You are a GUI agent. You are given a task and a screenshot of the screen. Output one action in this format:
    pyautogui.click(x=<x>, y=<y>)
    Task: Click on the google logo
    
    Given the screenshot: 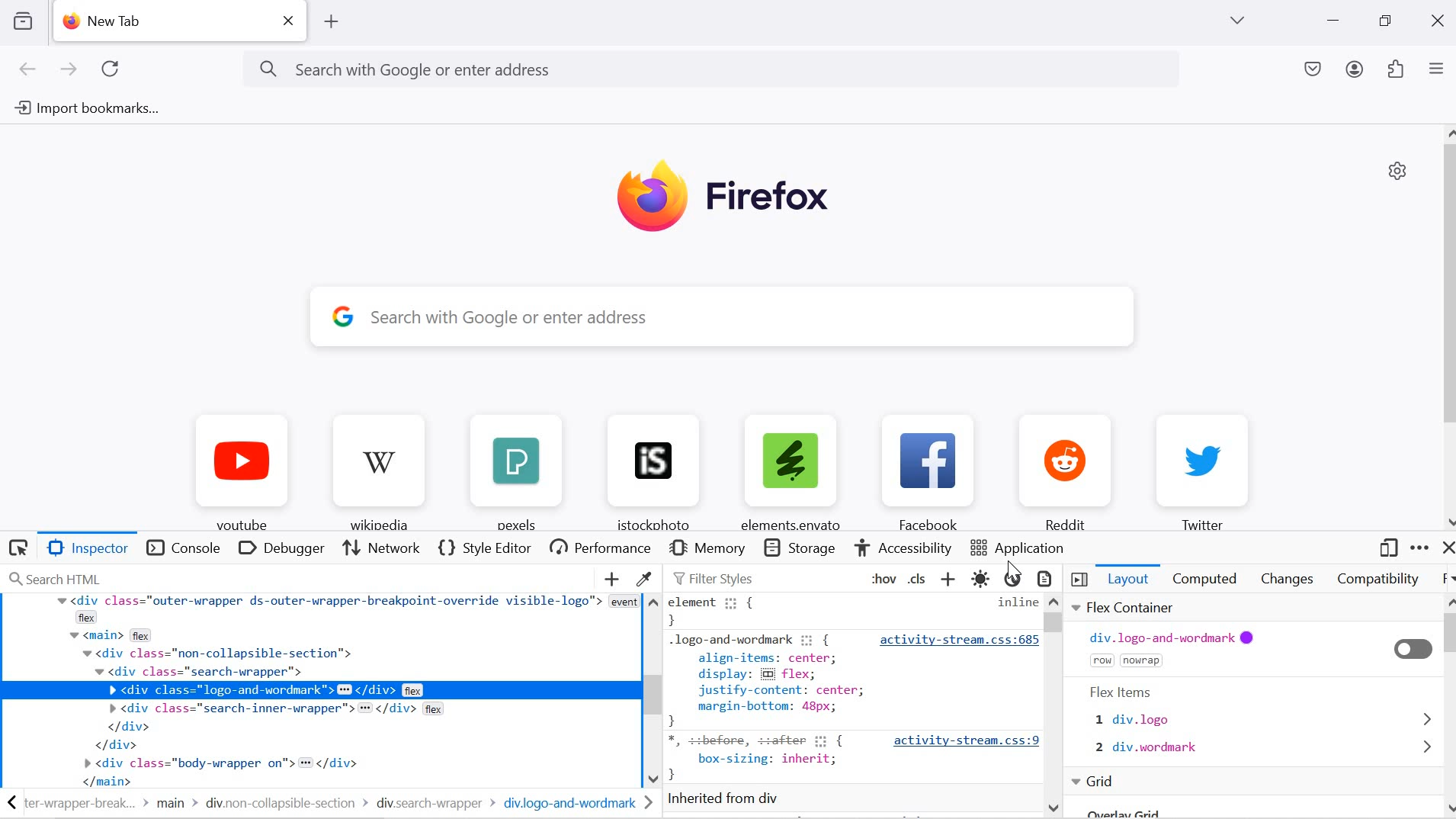 What is the action you would take?
    pyautogui.click(x=342, y=320)
    